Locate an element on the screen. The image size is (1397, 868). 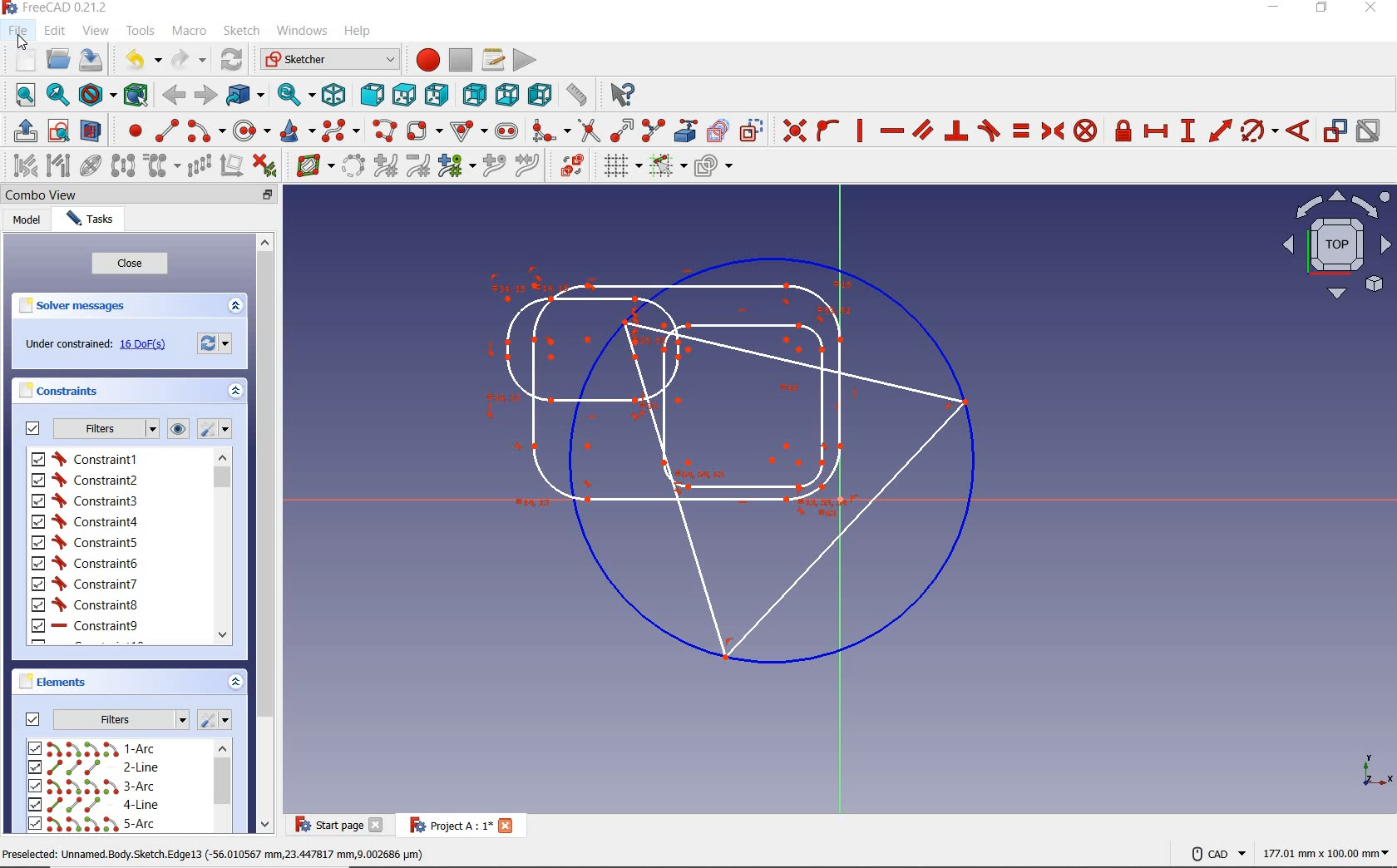
solver messages is located at coordinates (99, 304).